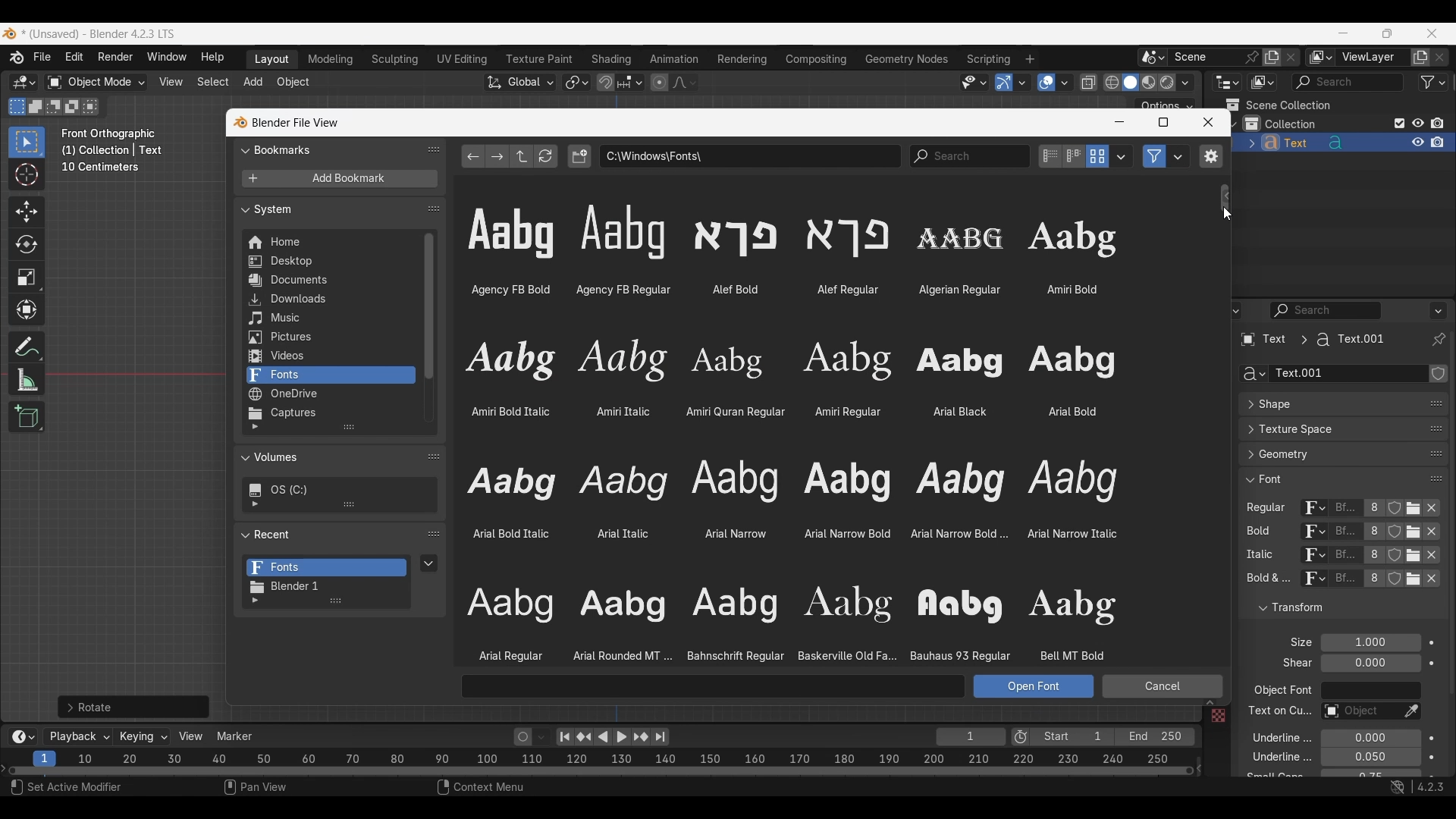  Describe the element at coordinates (1046, 83) in the screenshot. I see `Show overlay` at that location.